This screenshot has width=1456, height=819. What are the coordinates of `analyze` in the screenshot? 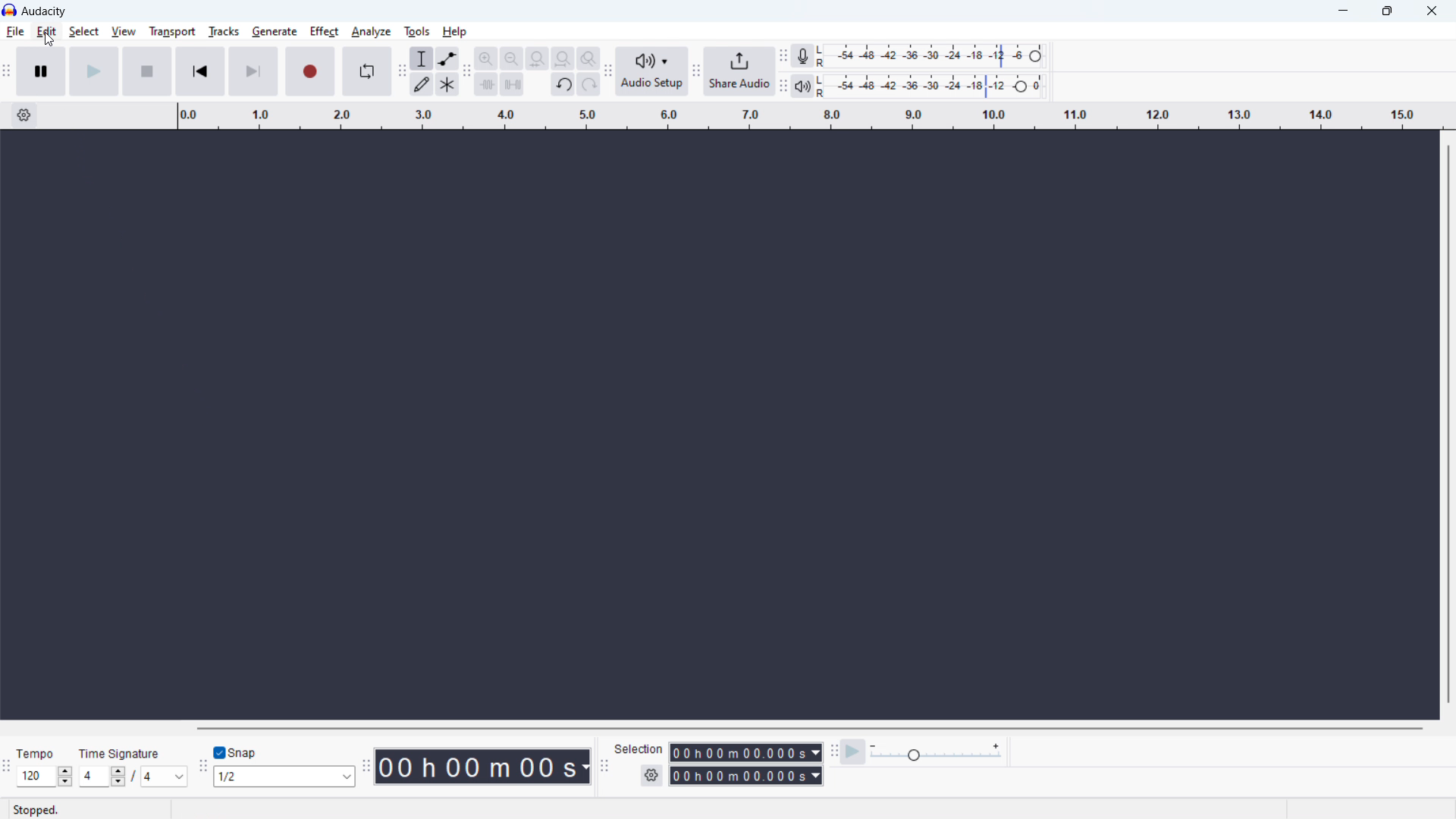 It's located at (372, 32).